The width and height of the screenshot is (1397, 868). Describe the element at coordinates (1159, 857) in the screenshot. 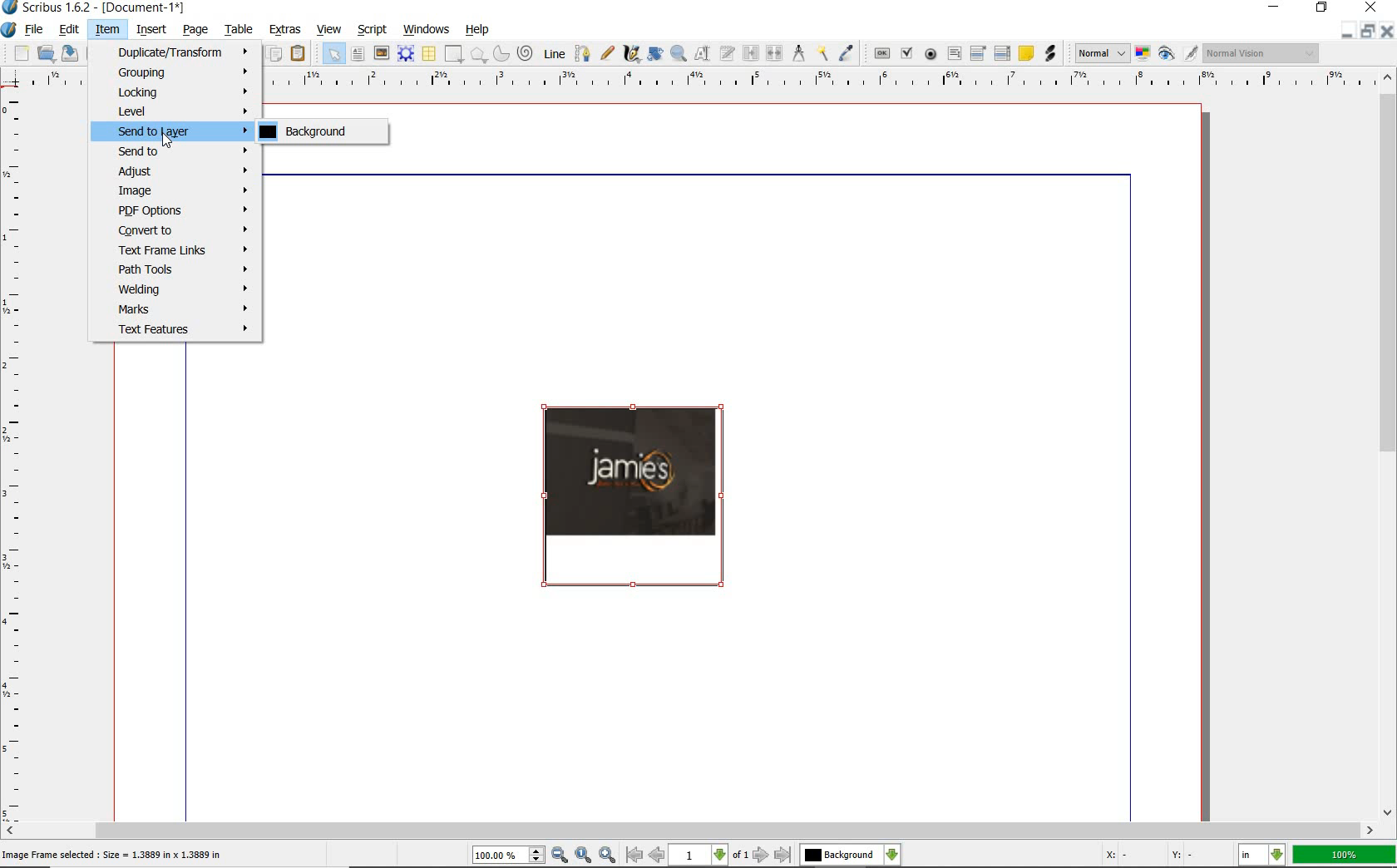

I see `Cursor Coordinates` at that location.